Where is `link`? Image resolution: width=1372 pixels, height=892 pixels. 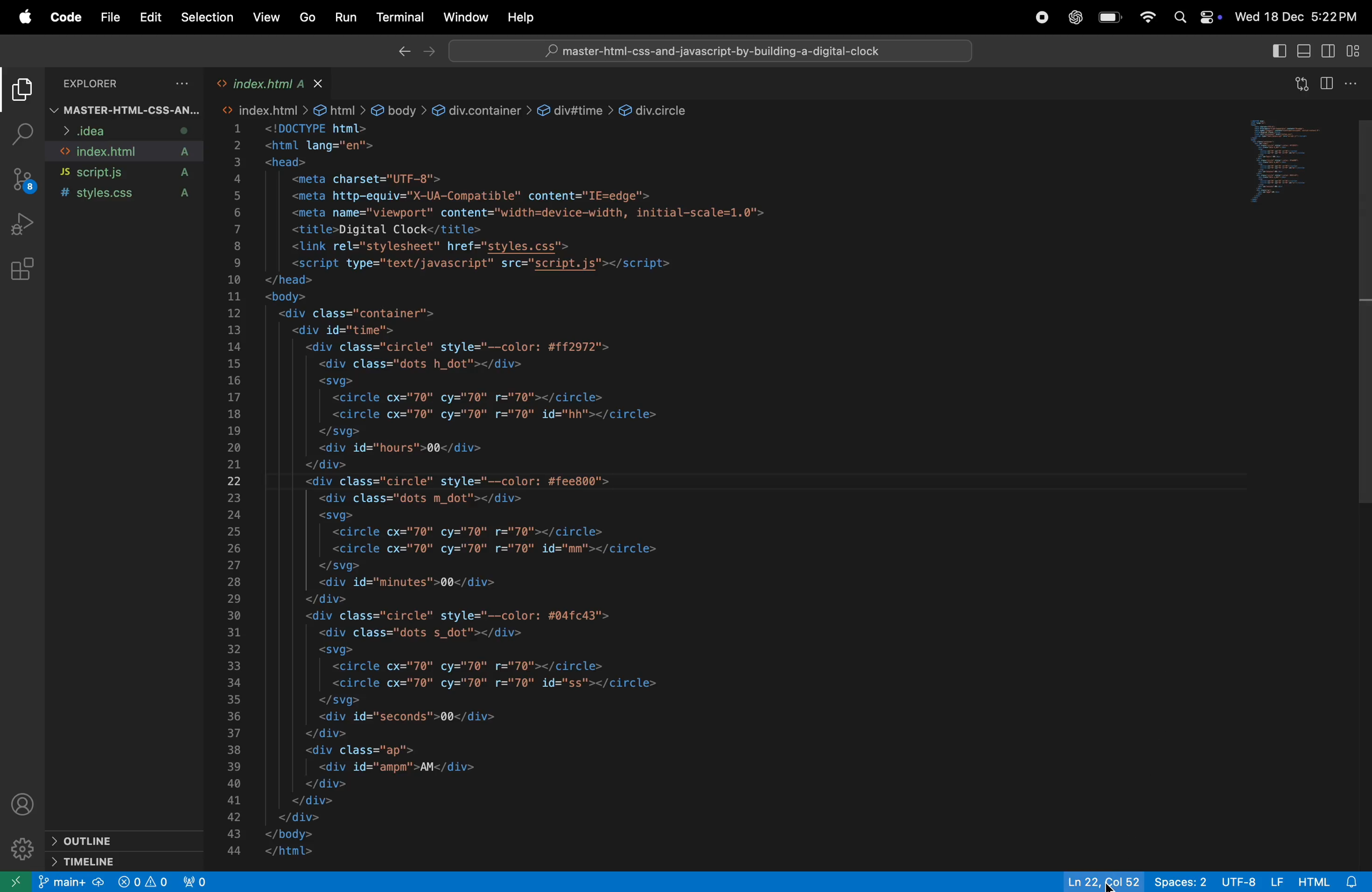
link is located at coordinates (341, 108).